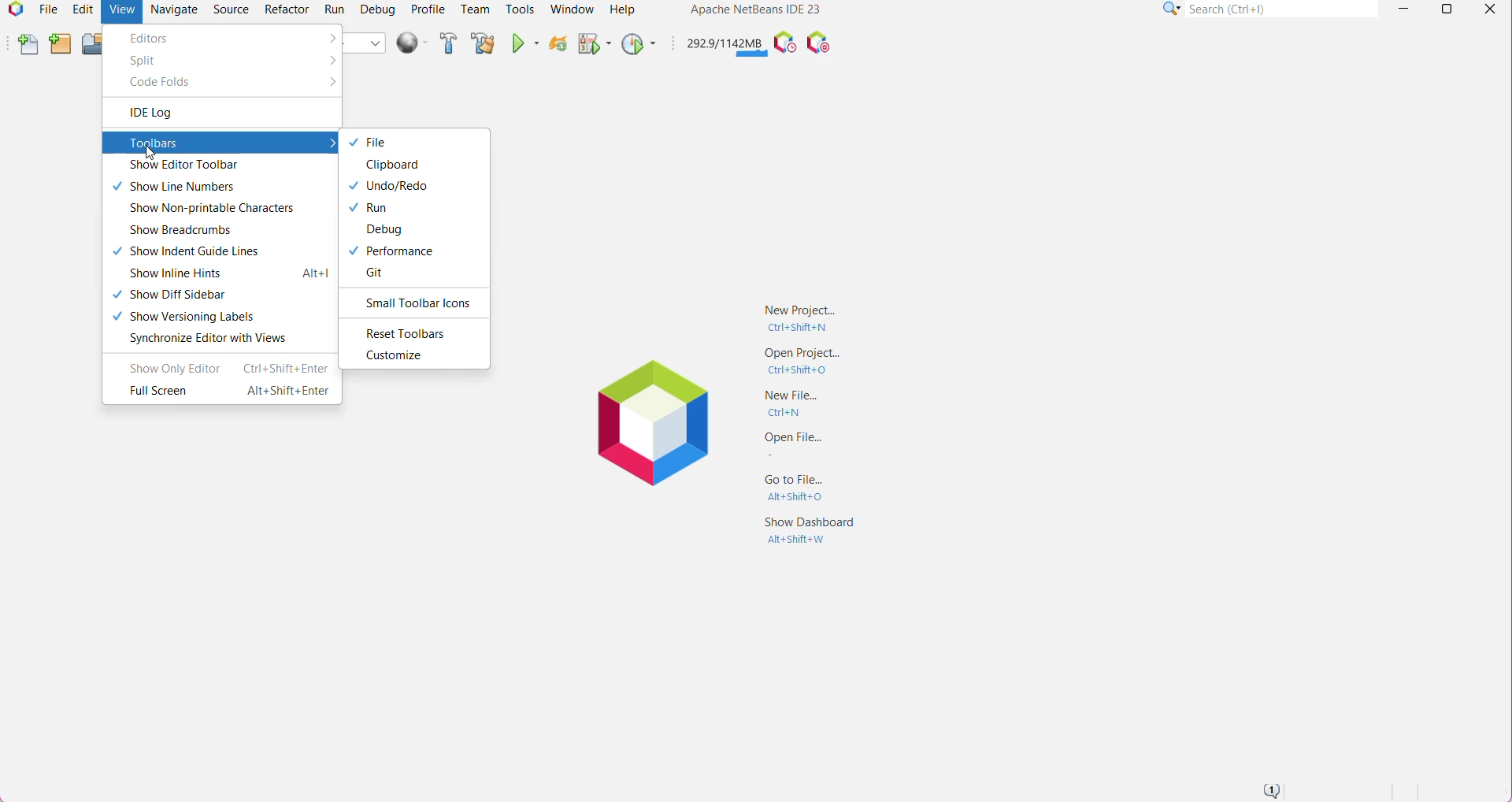 The height and width of the screenshot is (802, 1512). I want to click on Run All Projects, so click(411, 43).